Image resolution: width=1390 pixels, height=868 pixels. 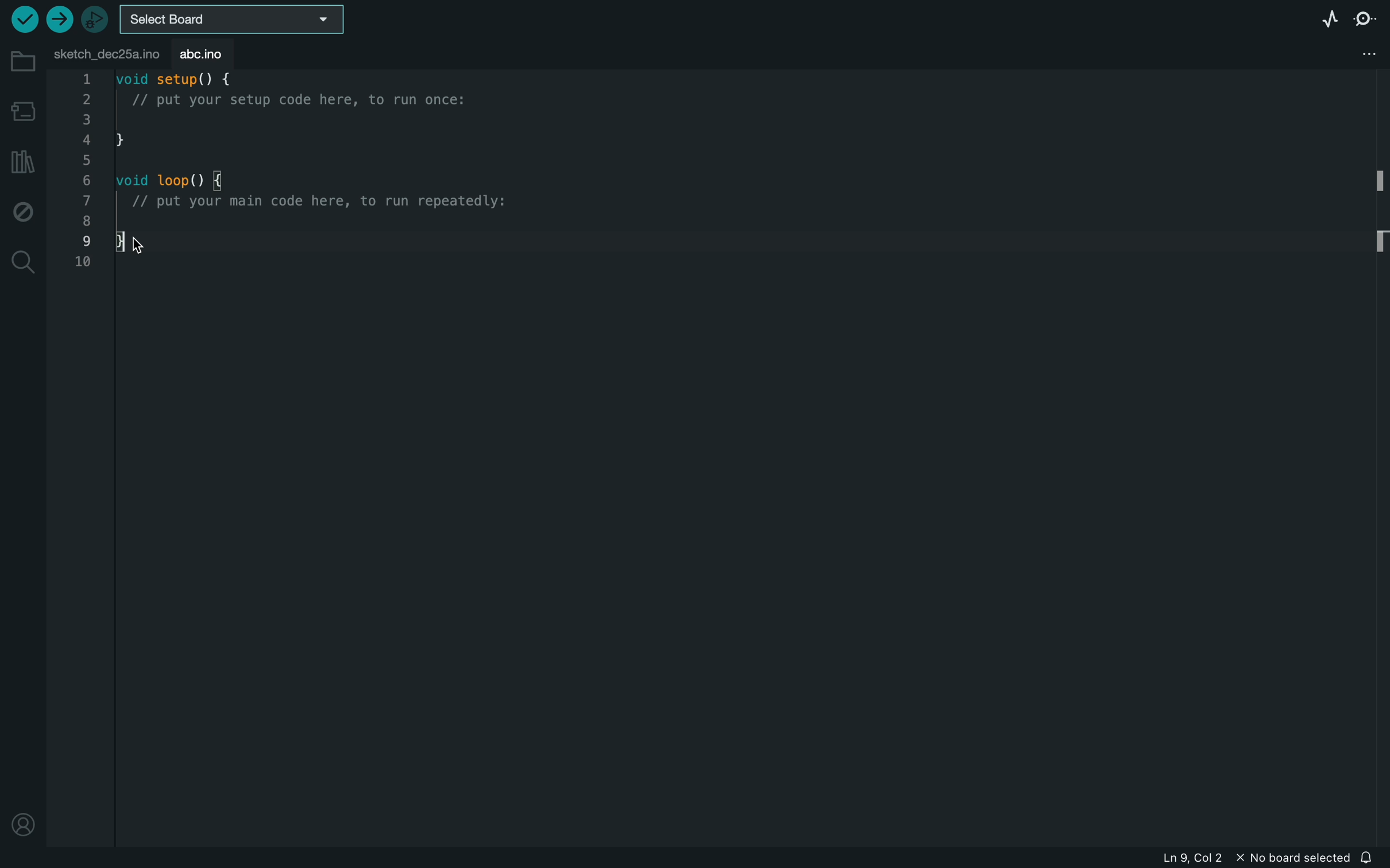 I want to click on cursor, so click(x=140, y=246).